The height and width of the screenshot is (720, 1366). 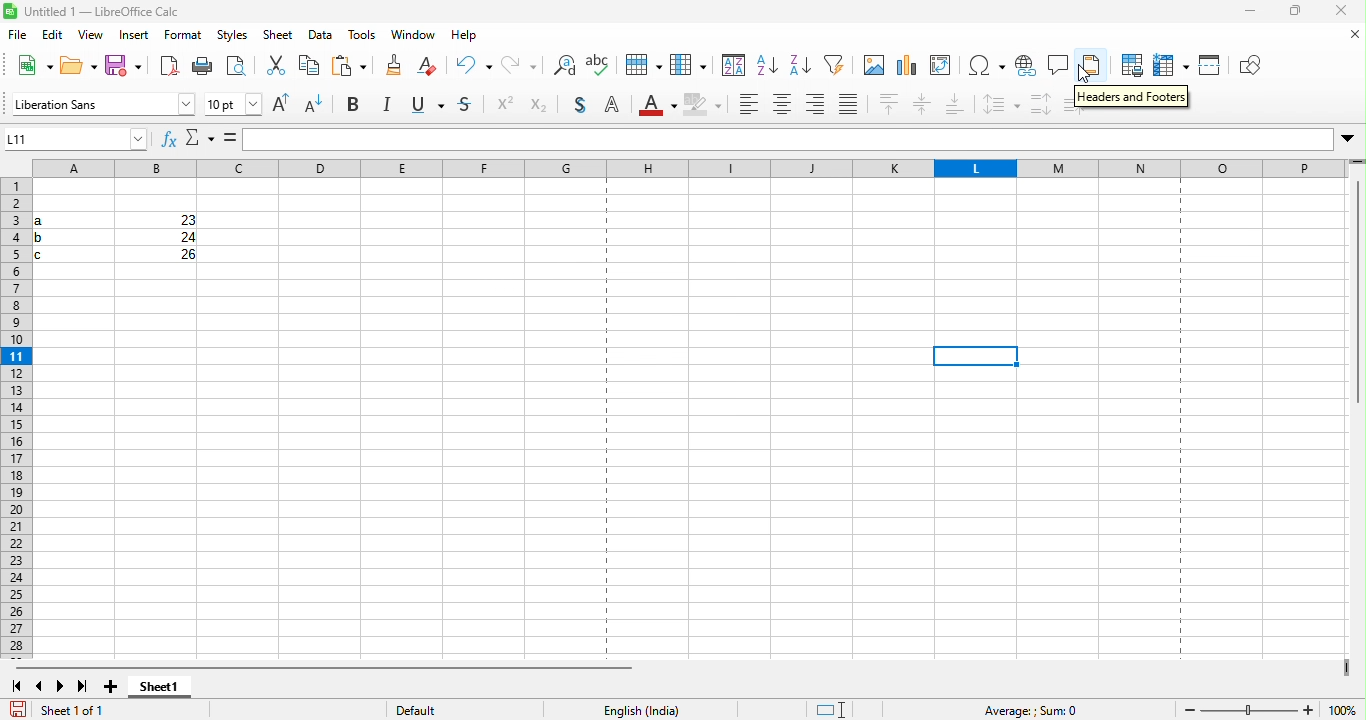 What do you see at coordinates (640, 66) in the screenshot?
I see `column` at bounding box center [640, 66].